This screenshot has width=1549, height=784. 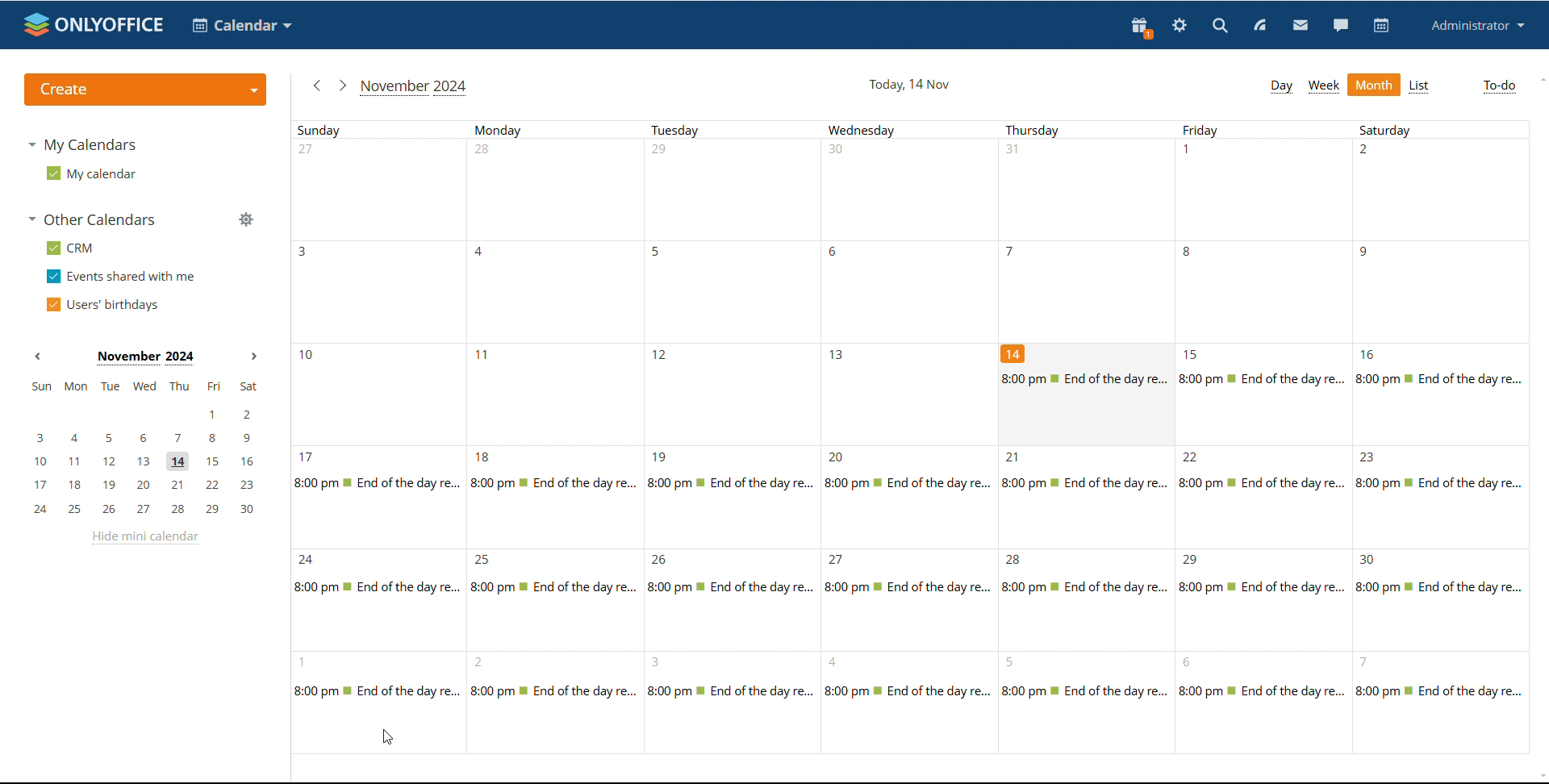 I want to click on dates, so click(x=883, y=459).